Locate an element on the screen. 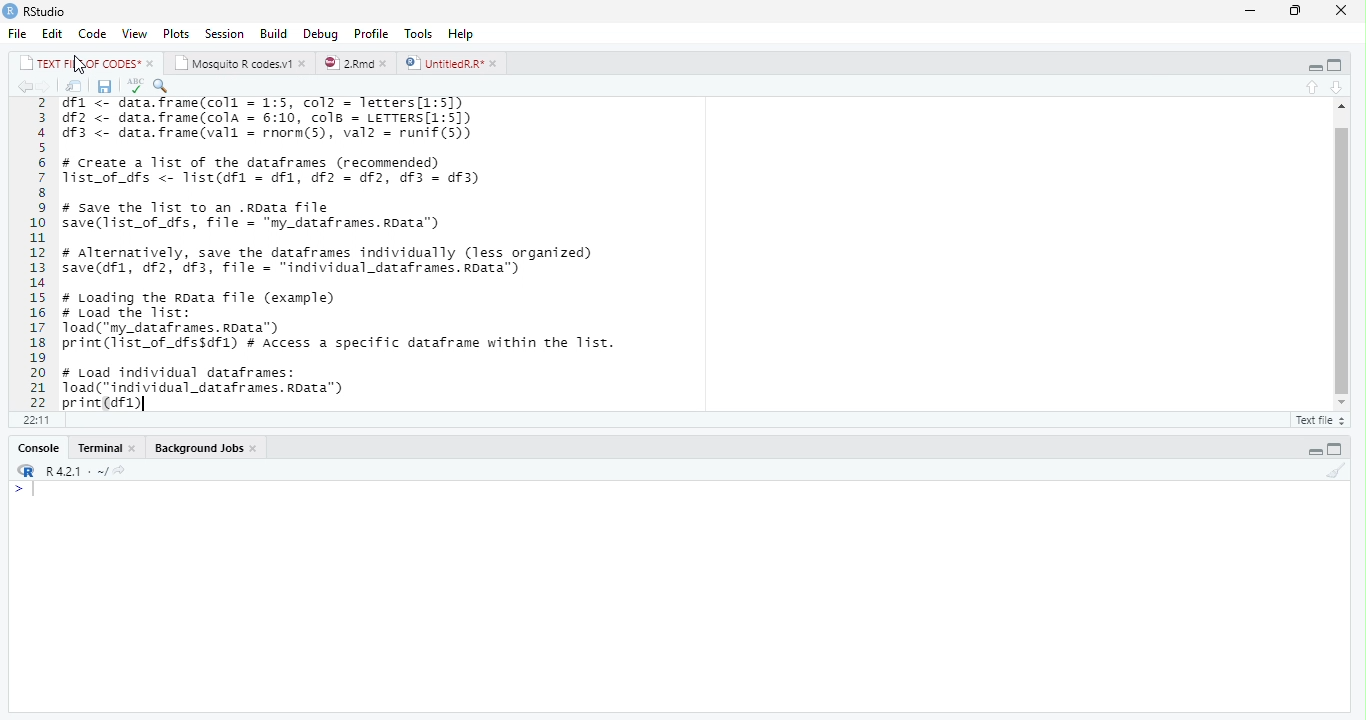 The width and height of the screenshot is (1366, 720). Session is located at coordinates (224, 33).